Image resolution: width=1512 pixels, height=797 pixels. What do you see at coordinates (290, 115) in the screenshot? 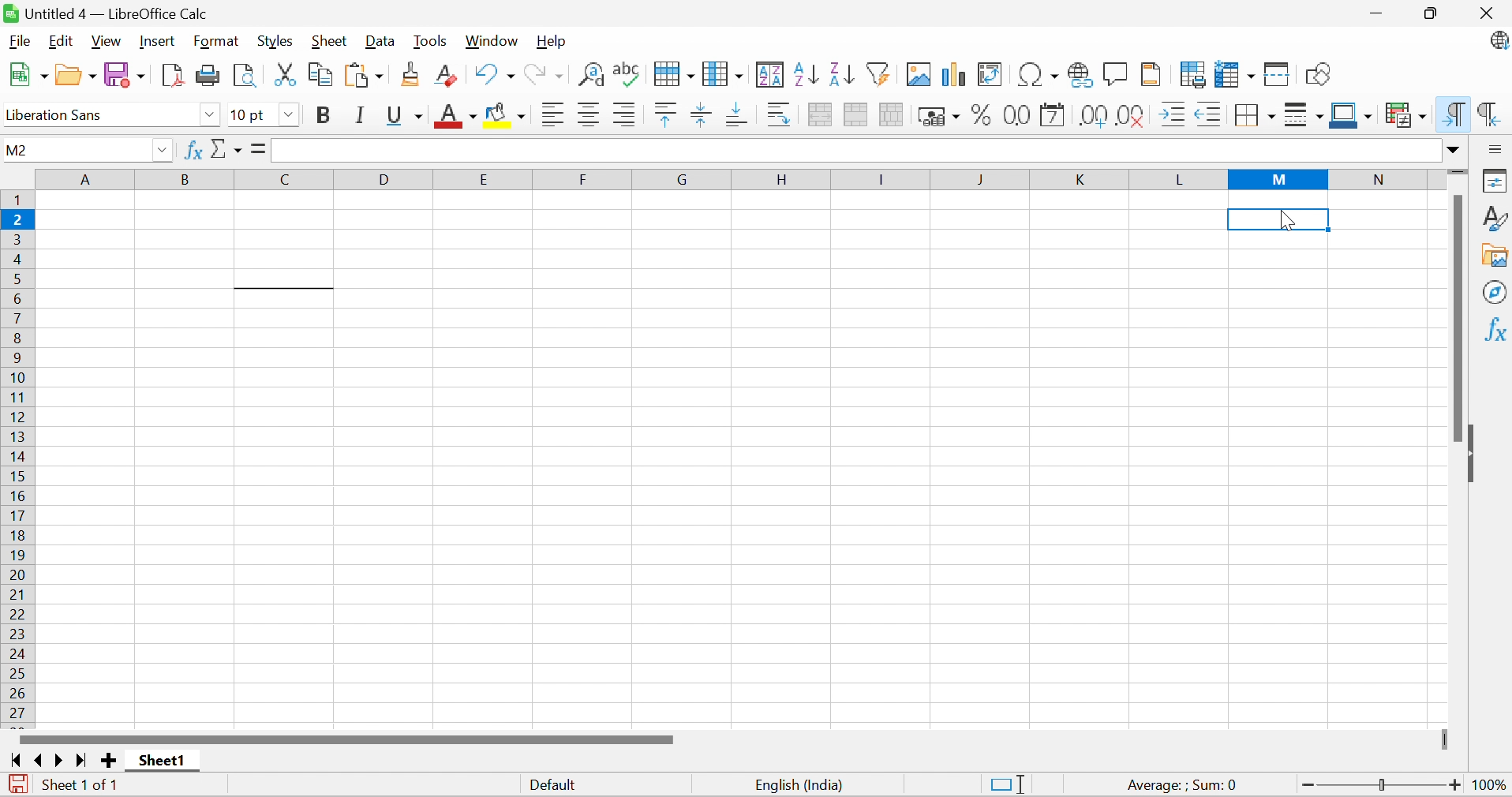
I see `Drop down` at bounding box center [290, 115].